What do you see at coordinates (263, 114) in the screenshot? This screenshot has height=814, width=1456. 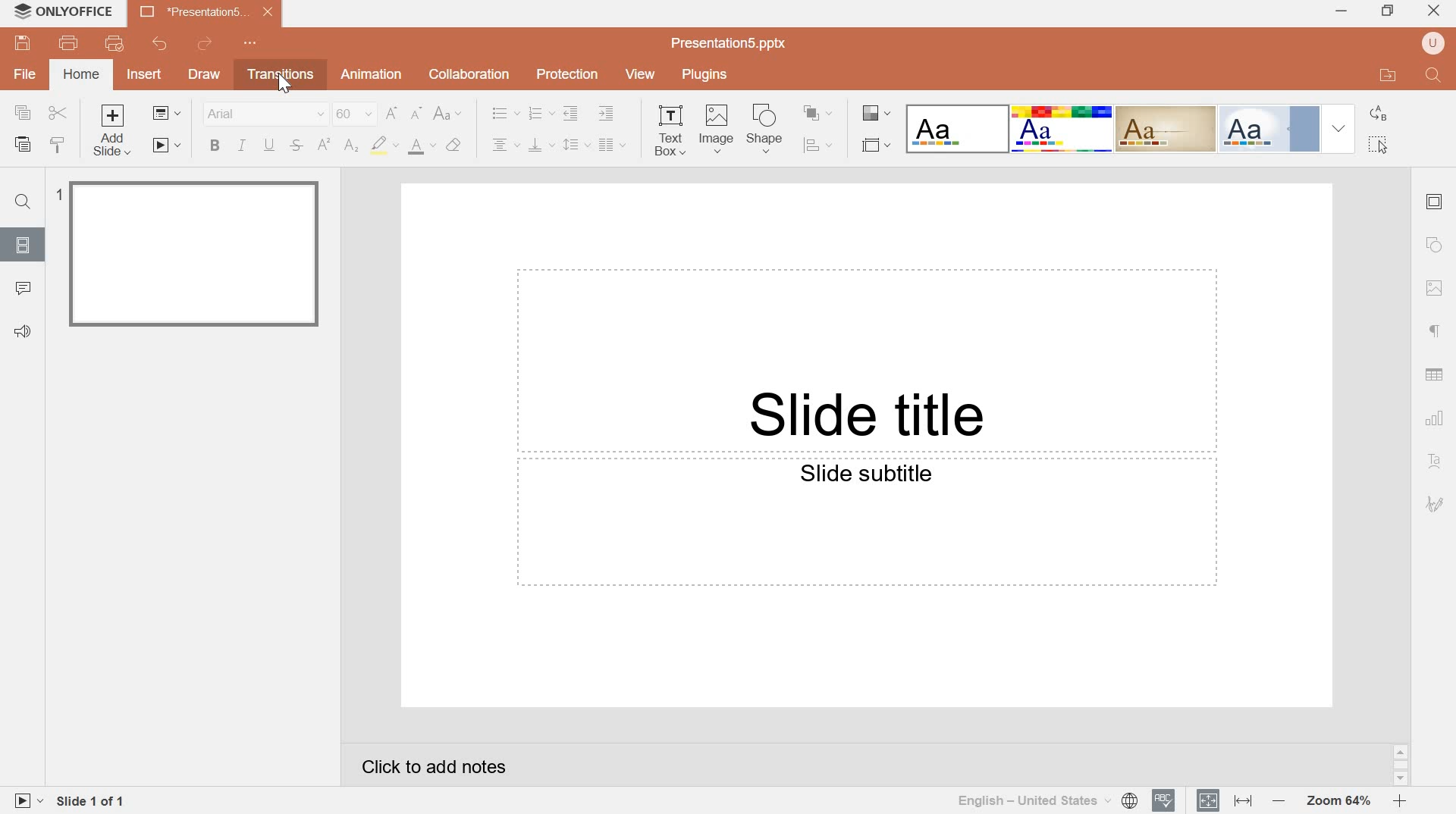 I see `Font` at bounding box center [263, 114].